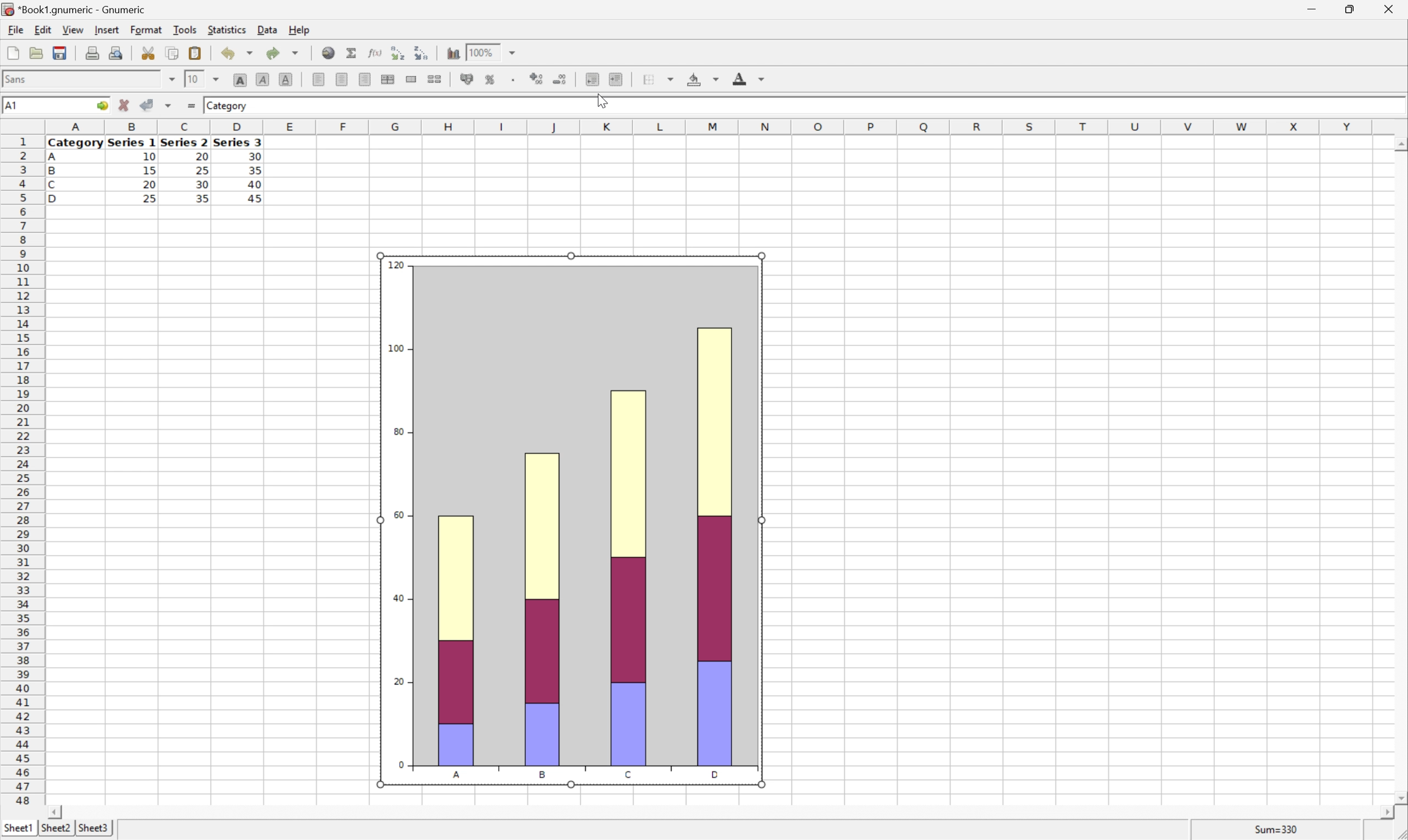  Describe the element at coordinates (173, 52) in the screenshot. I see `Copy selection` at that location.